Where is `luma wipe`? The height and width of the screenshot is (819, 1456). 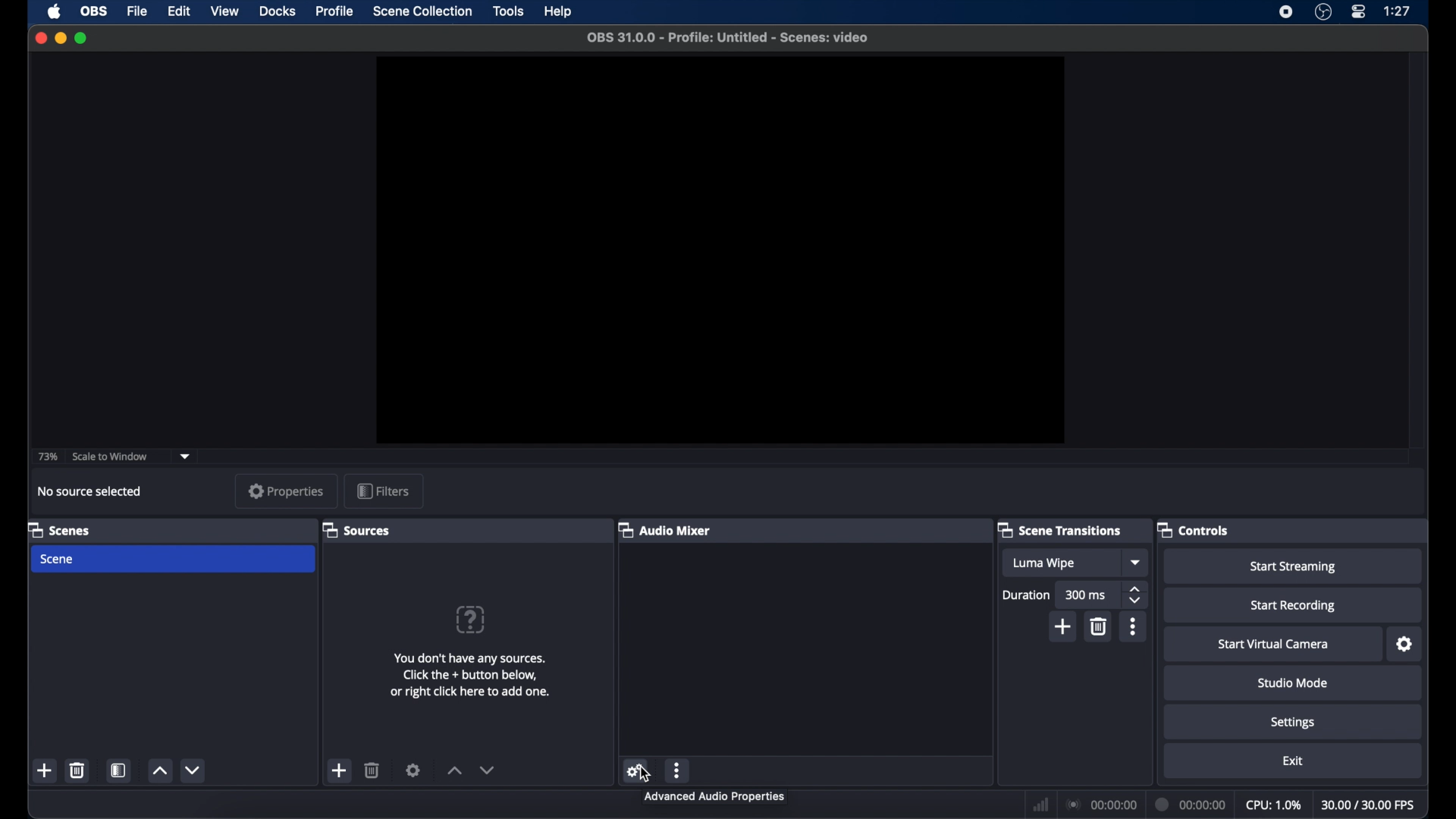
luma wipe is located at coordinates (1046, 564).